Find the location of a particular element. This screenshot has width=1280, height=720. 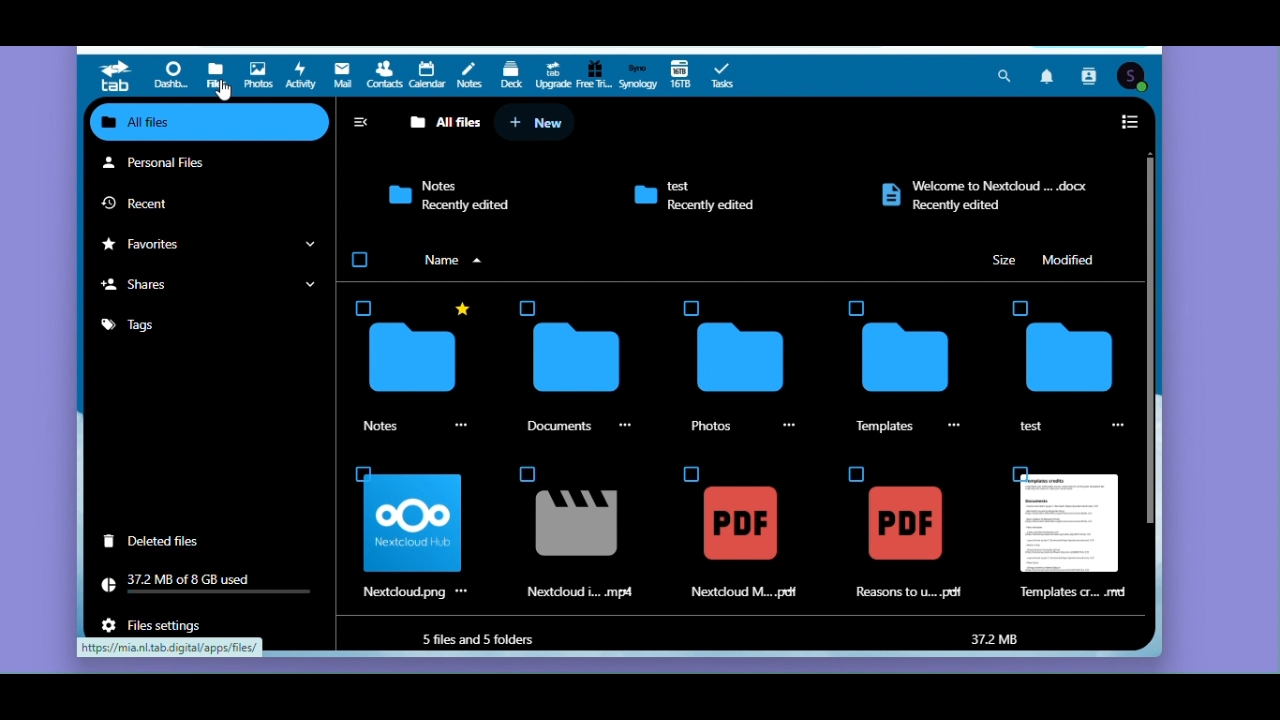

Files is located at coordinates (213, 76).